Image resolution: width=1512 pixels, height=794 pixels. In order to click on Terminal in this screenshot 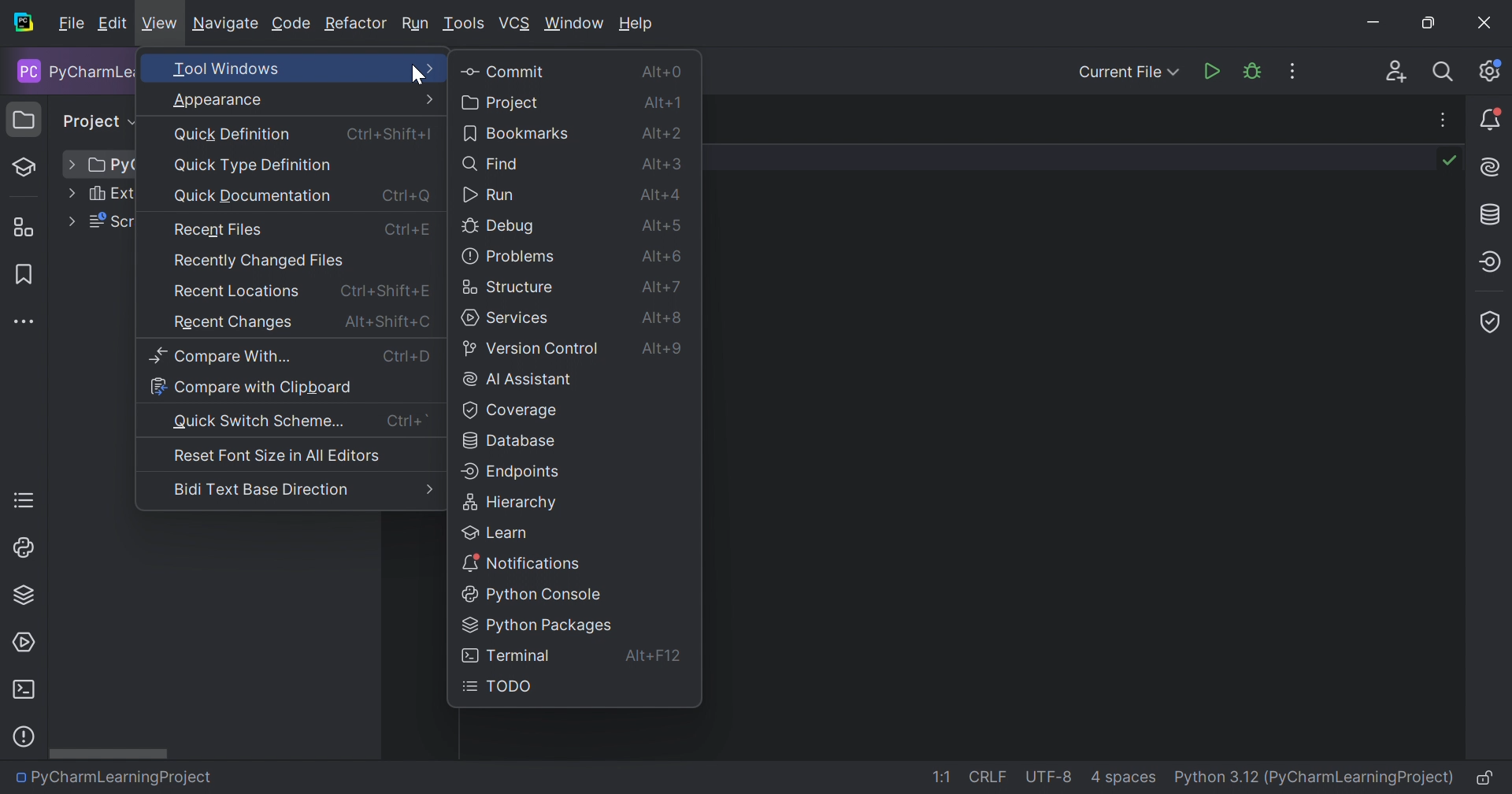, I will do `click(26, 689)`.